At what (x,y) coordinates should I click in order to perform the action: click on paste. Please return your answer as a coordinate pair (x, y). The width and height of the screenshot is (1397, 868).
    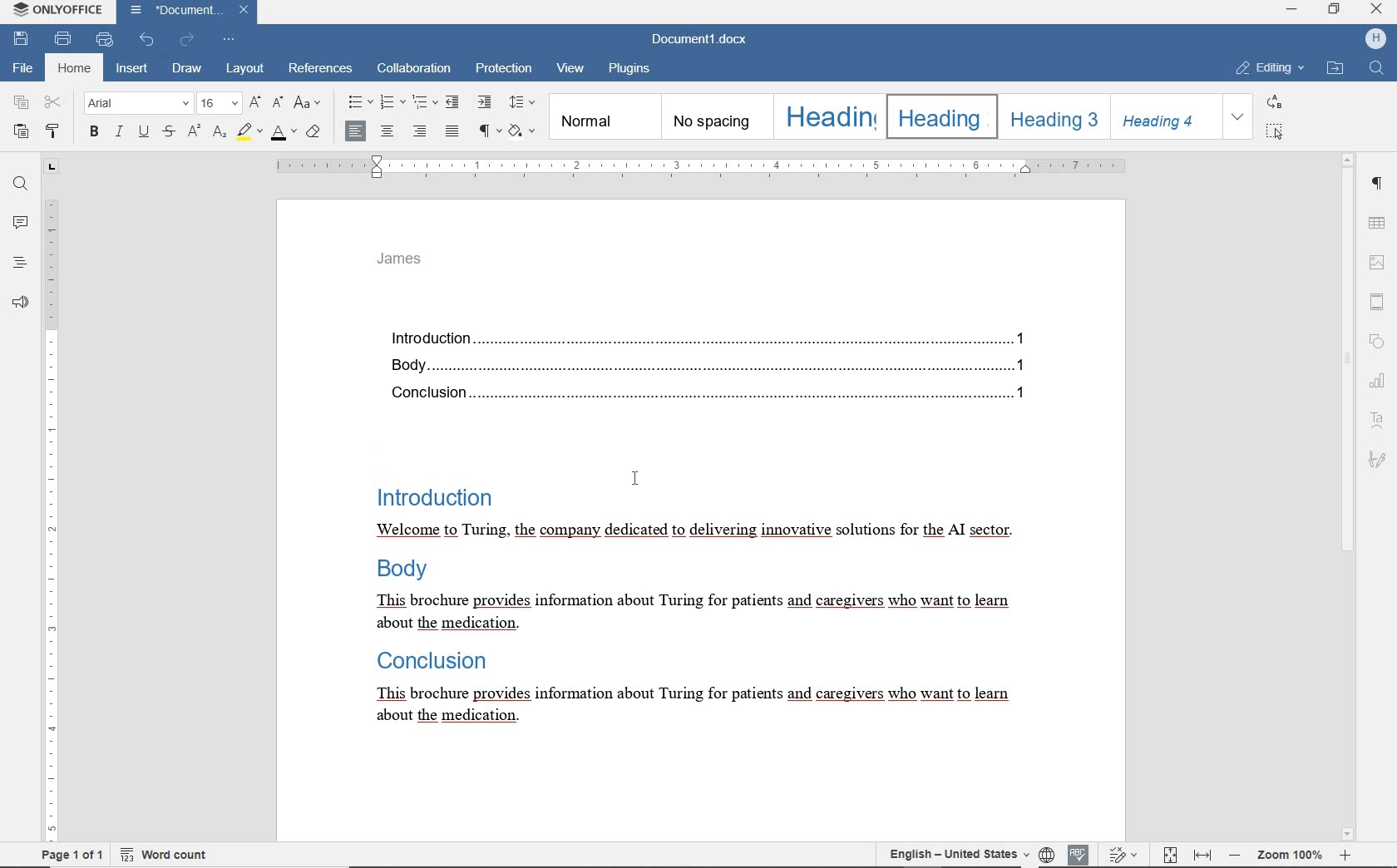
    Looking at the image, I should click on (19, 131).